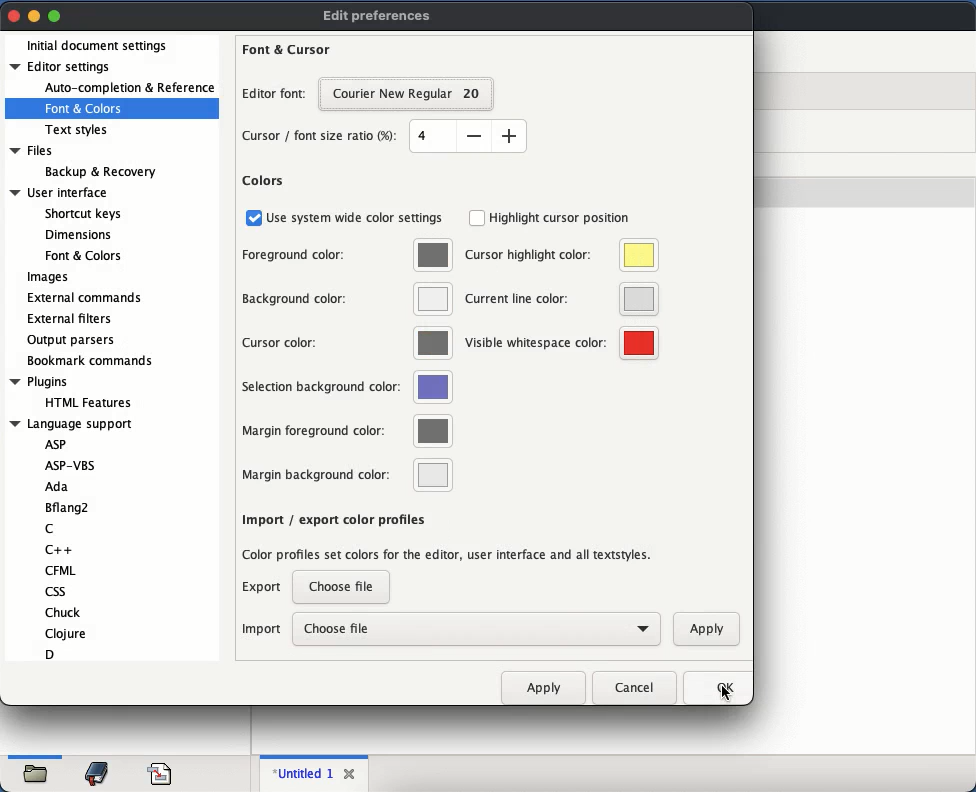  What do you see at coordinates (79, 129) in the screenshot?
I see `text styles` at bounding box center [79, 129].